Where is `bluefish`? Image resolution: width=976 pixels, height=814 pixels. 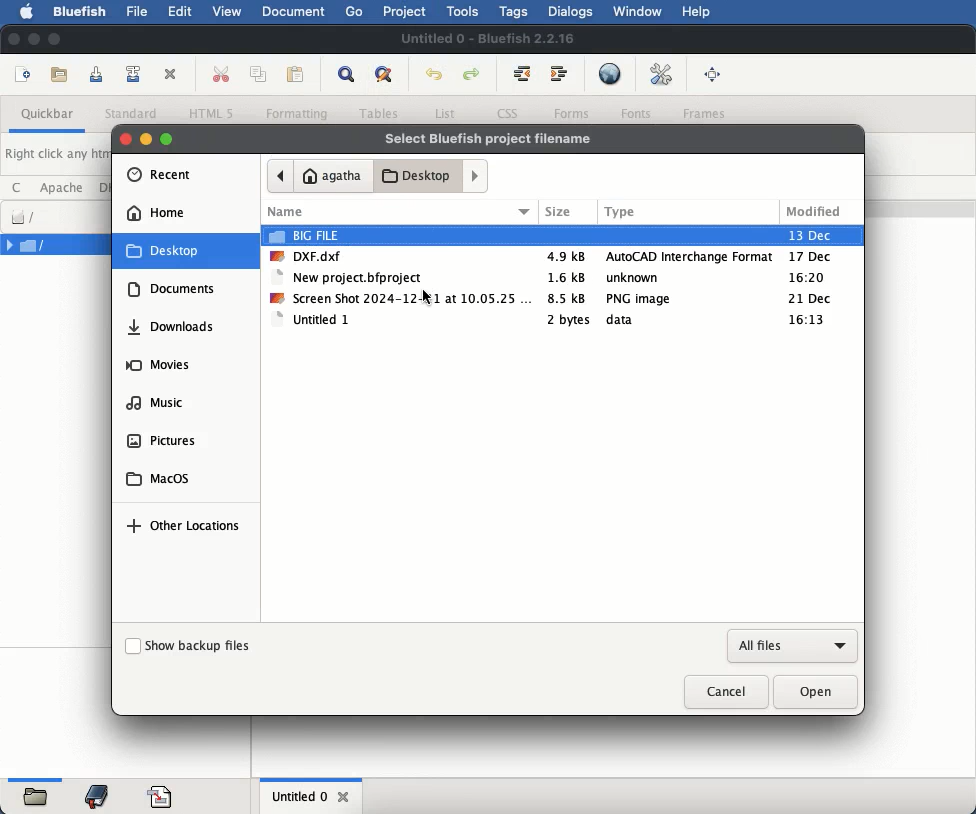
bluefish is located at coordinates (79, 9).